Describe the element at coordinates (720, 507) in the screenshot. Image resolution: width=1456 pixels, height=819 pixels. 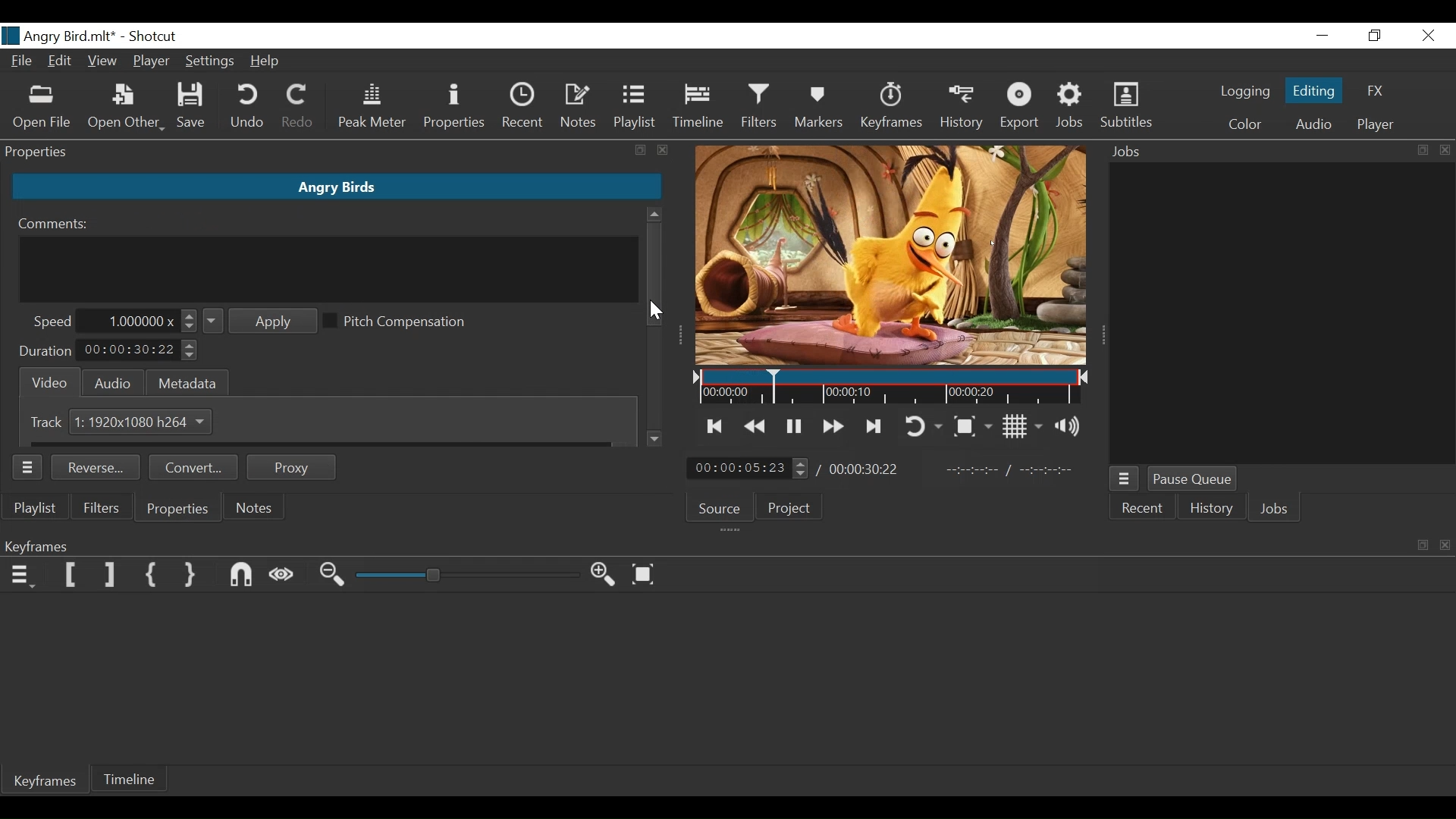
I see `Source` at that location.